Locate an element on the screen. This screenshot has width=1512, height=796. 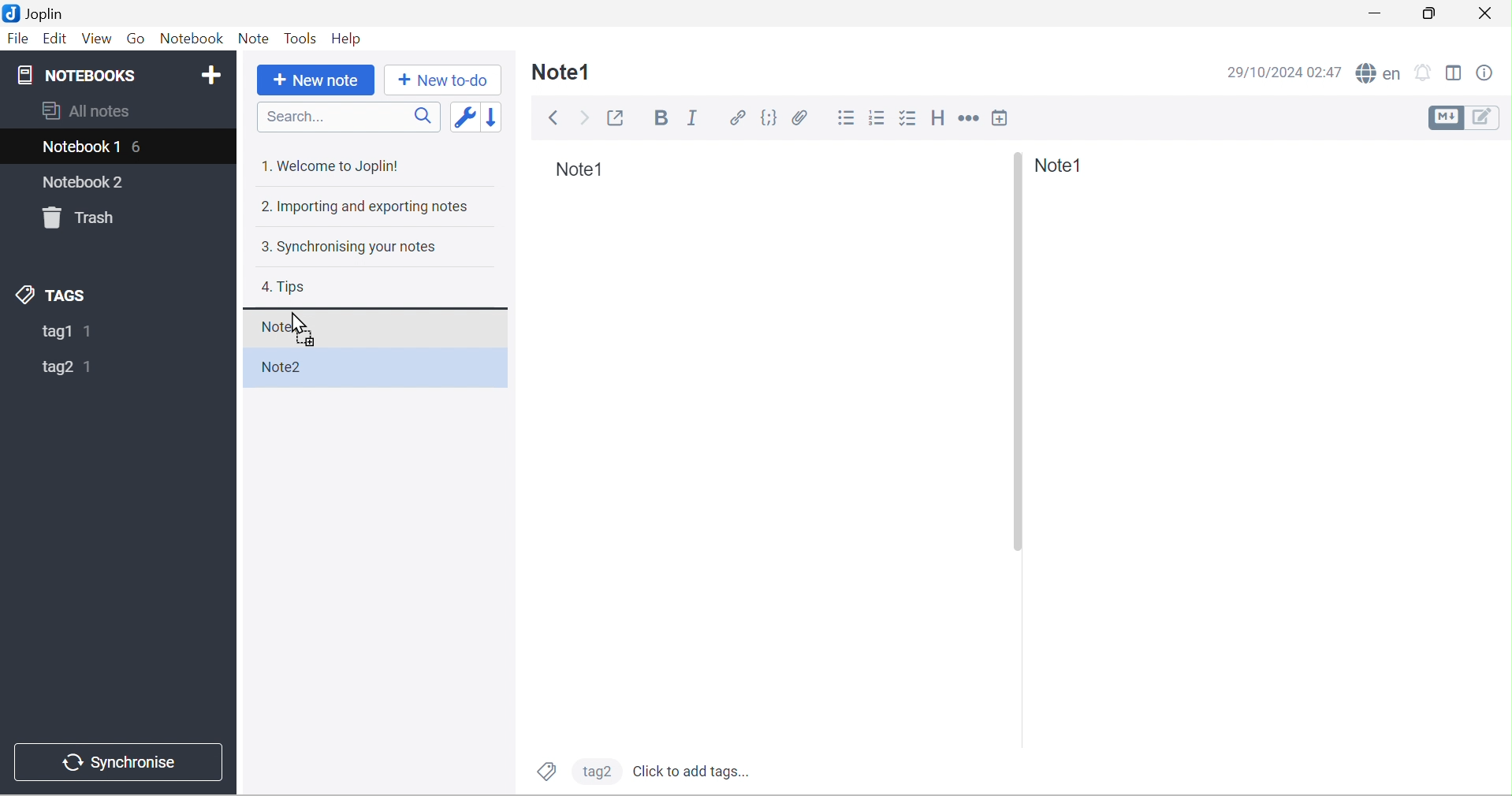
Checkbox is located at coordinates (907, 120).